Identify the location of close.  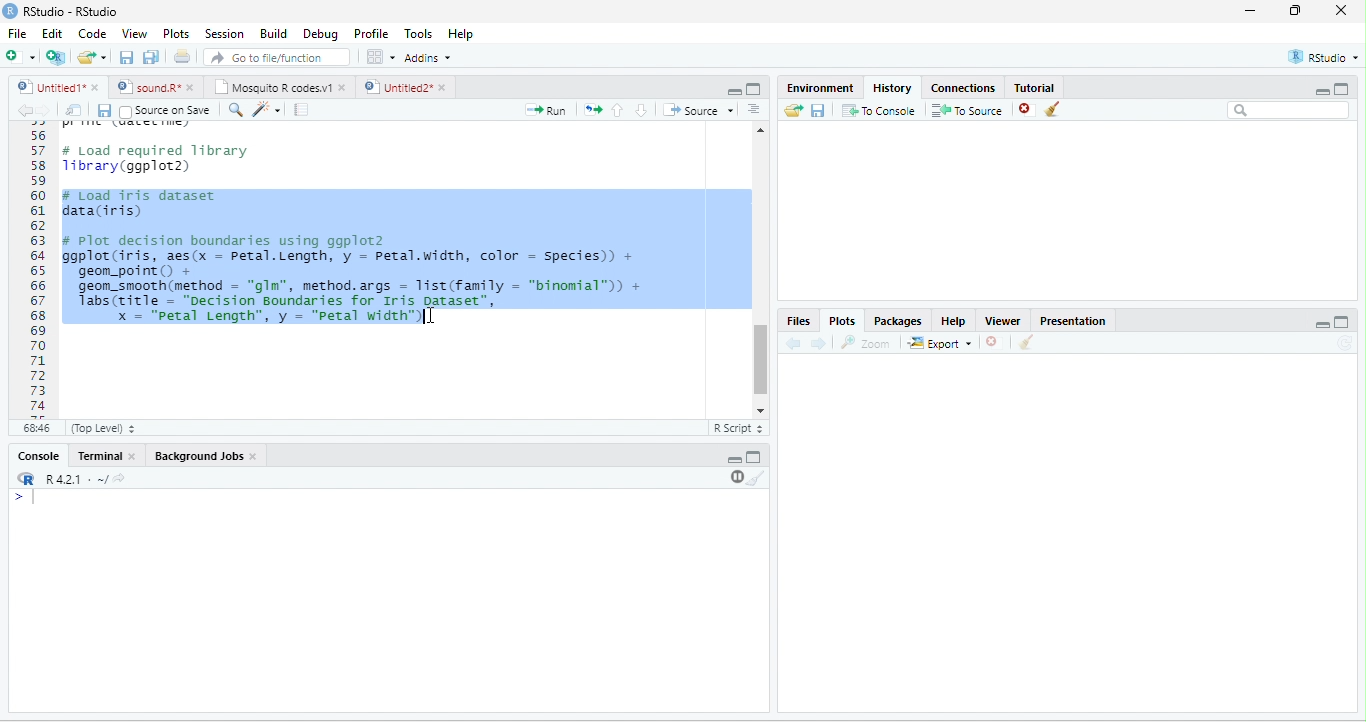
(344, 88).